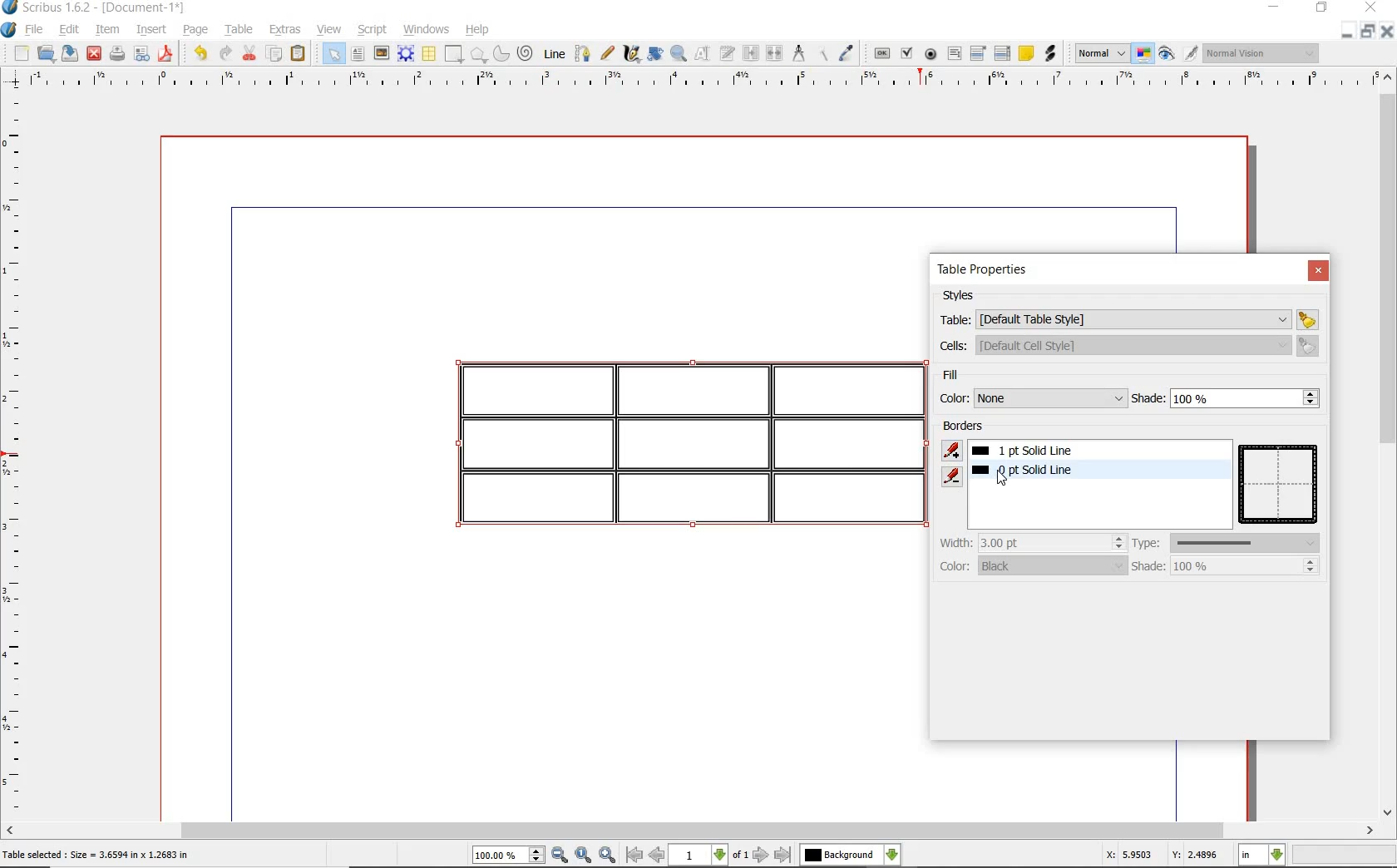 The height and width of the screenshot is (868, 1397). I want to click on edit in preview mode, so click(1190, 54).